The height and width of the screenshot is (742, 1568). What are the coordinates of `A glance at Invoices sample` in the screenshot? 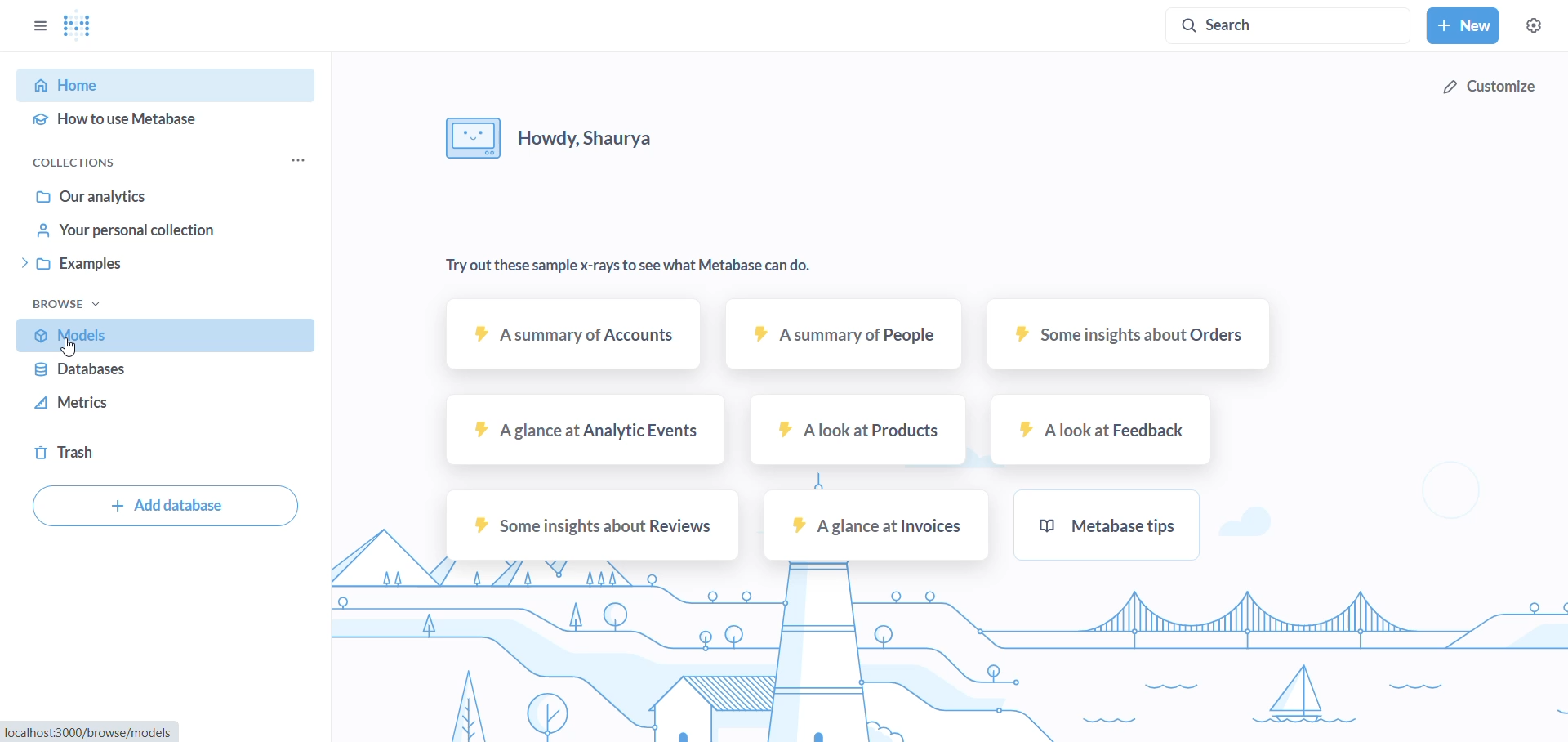 It's located at (876, 525).